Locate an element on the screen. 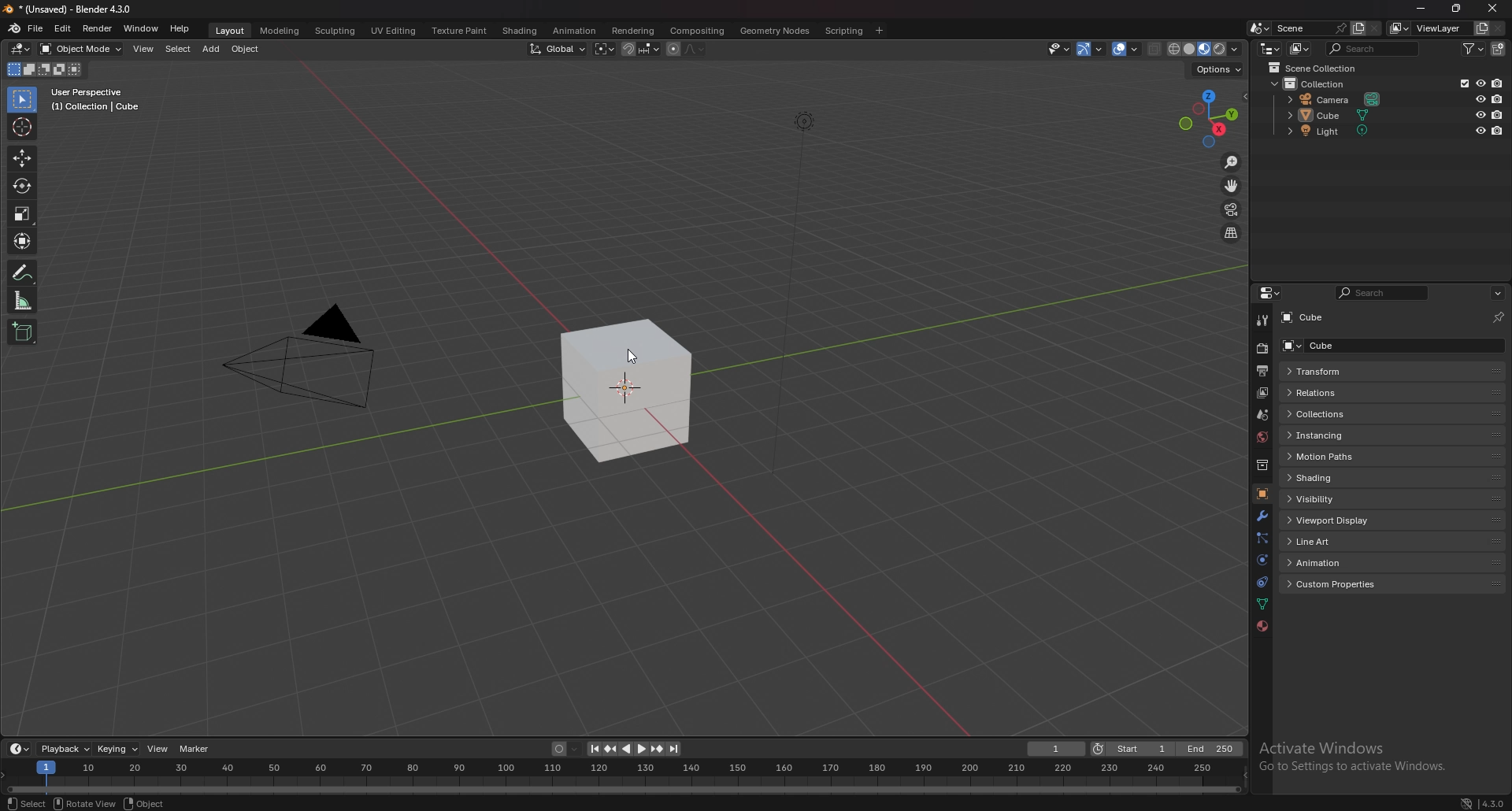 Image resolution: width=1512 pixels, height=811 pixels. close is located at coordinates (1492, 8).